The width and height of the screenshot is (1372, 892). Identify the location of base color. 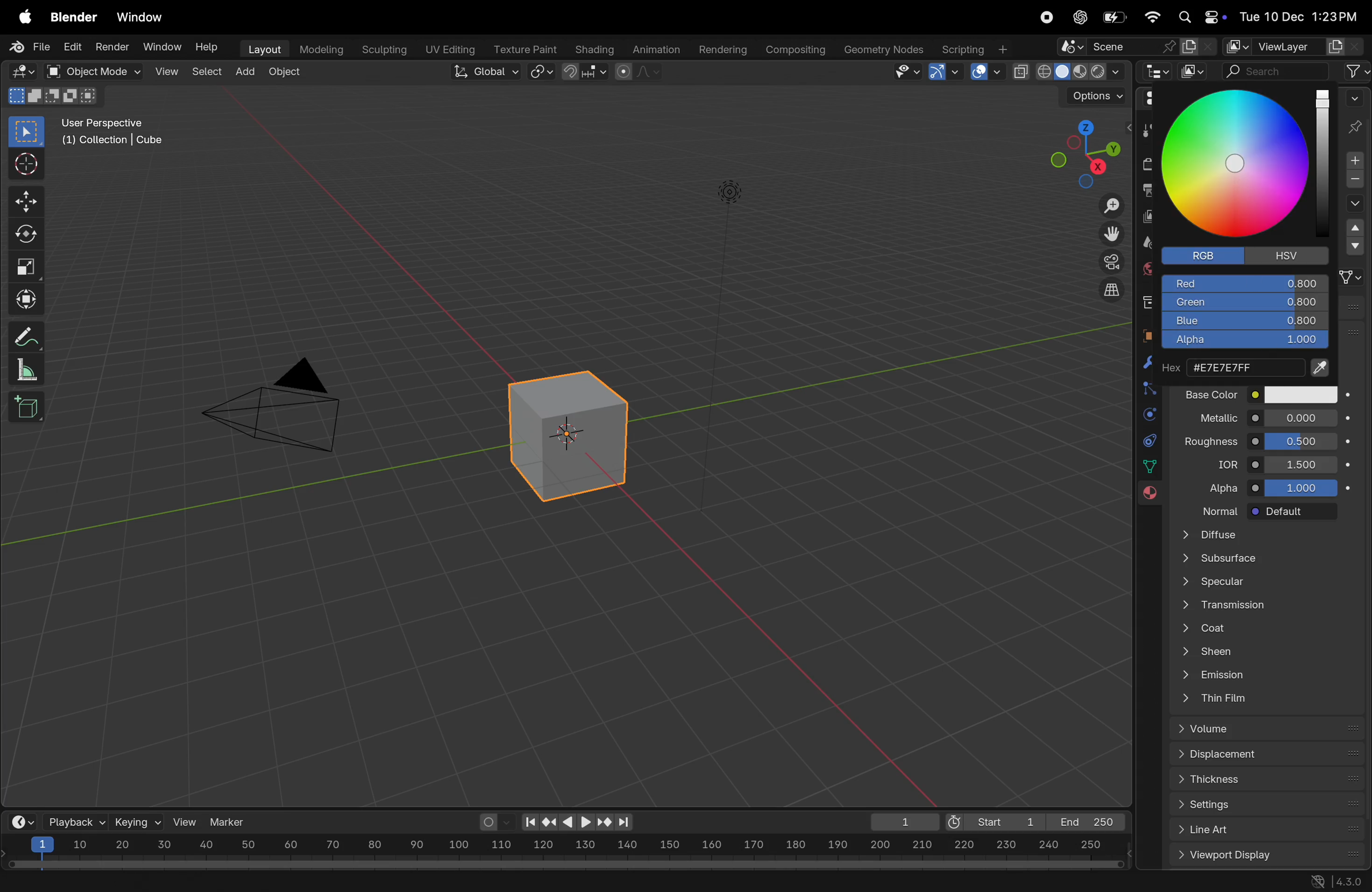
(1212, 394).